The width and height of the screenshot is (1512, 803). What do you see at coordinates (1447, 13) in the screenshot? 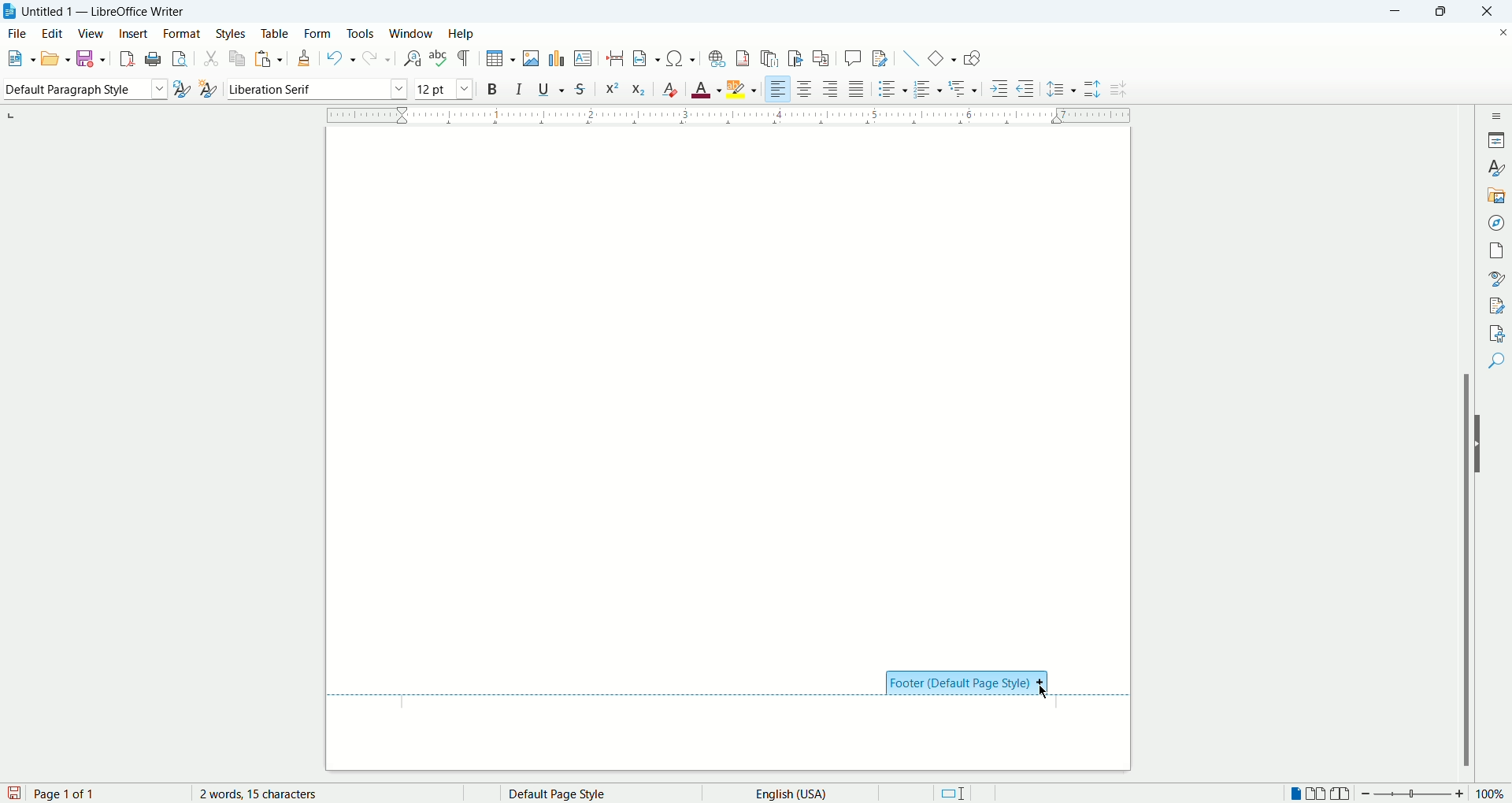
I see `maximize` at bounding box center [1447, 13].